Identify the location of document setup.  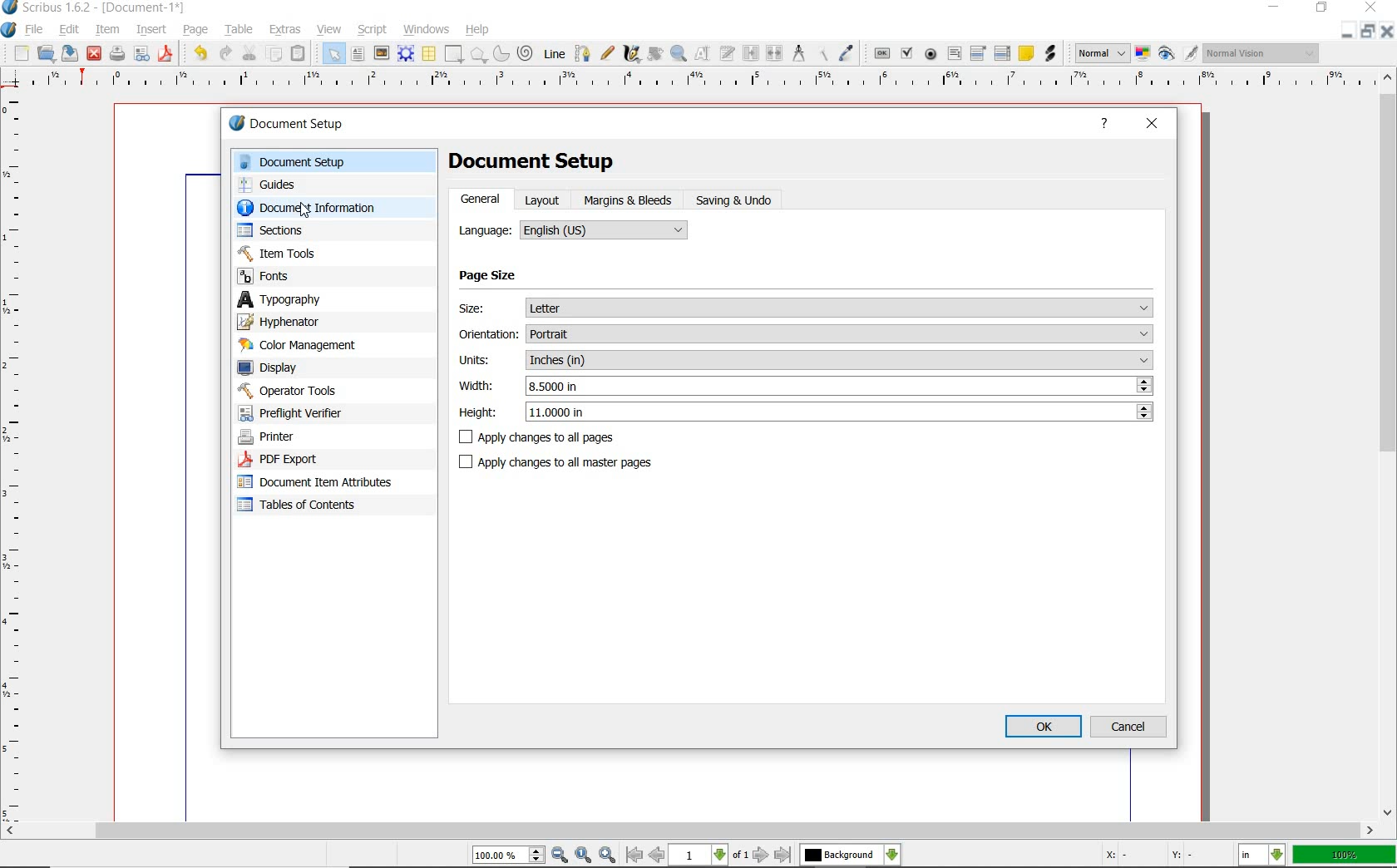
(320, 162).